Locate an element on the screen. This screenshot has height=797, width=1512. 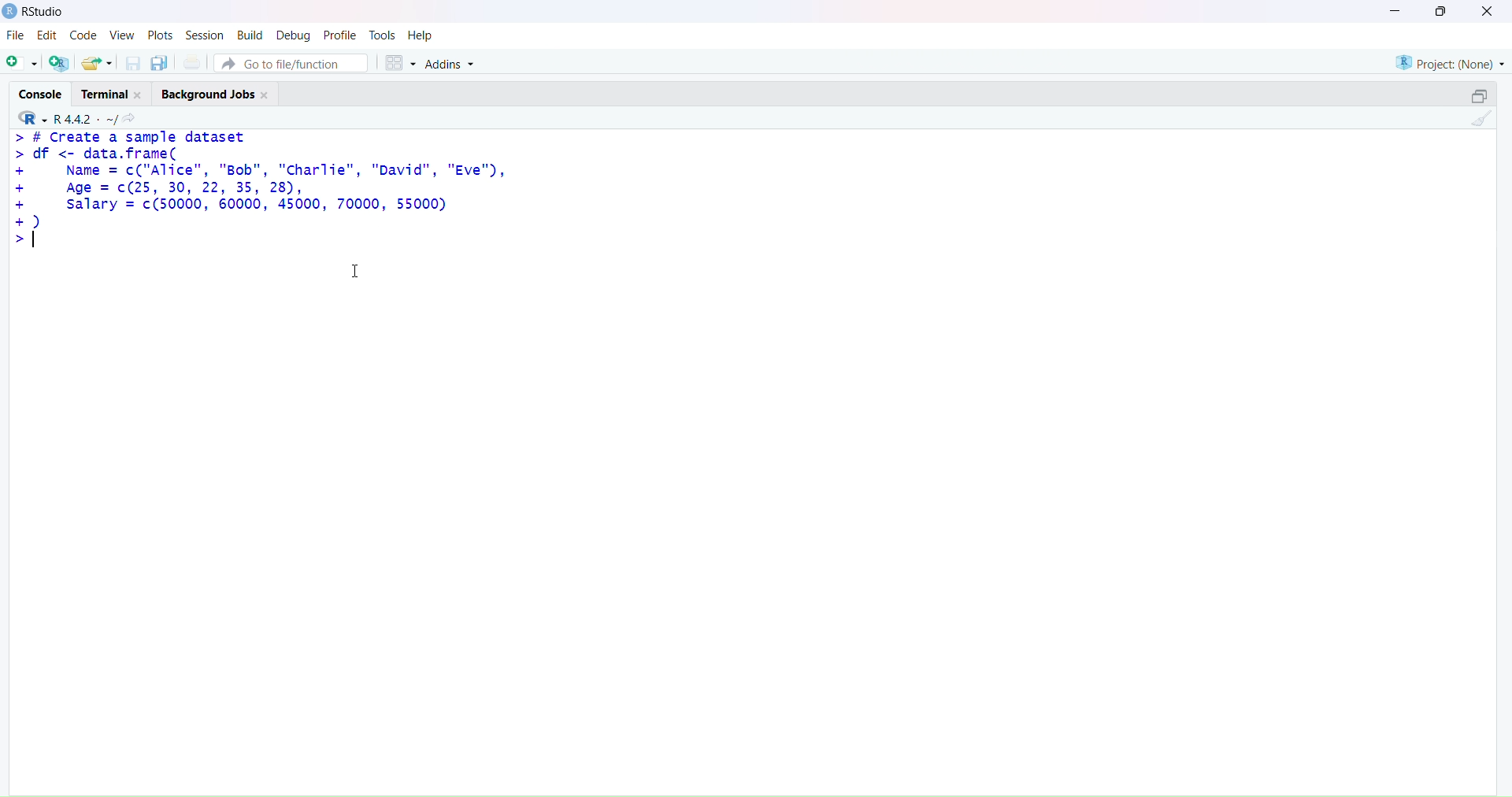
file is located at coordinates (16, 36).